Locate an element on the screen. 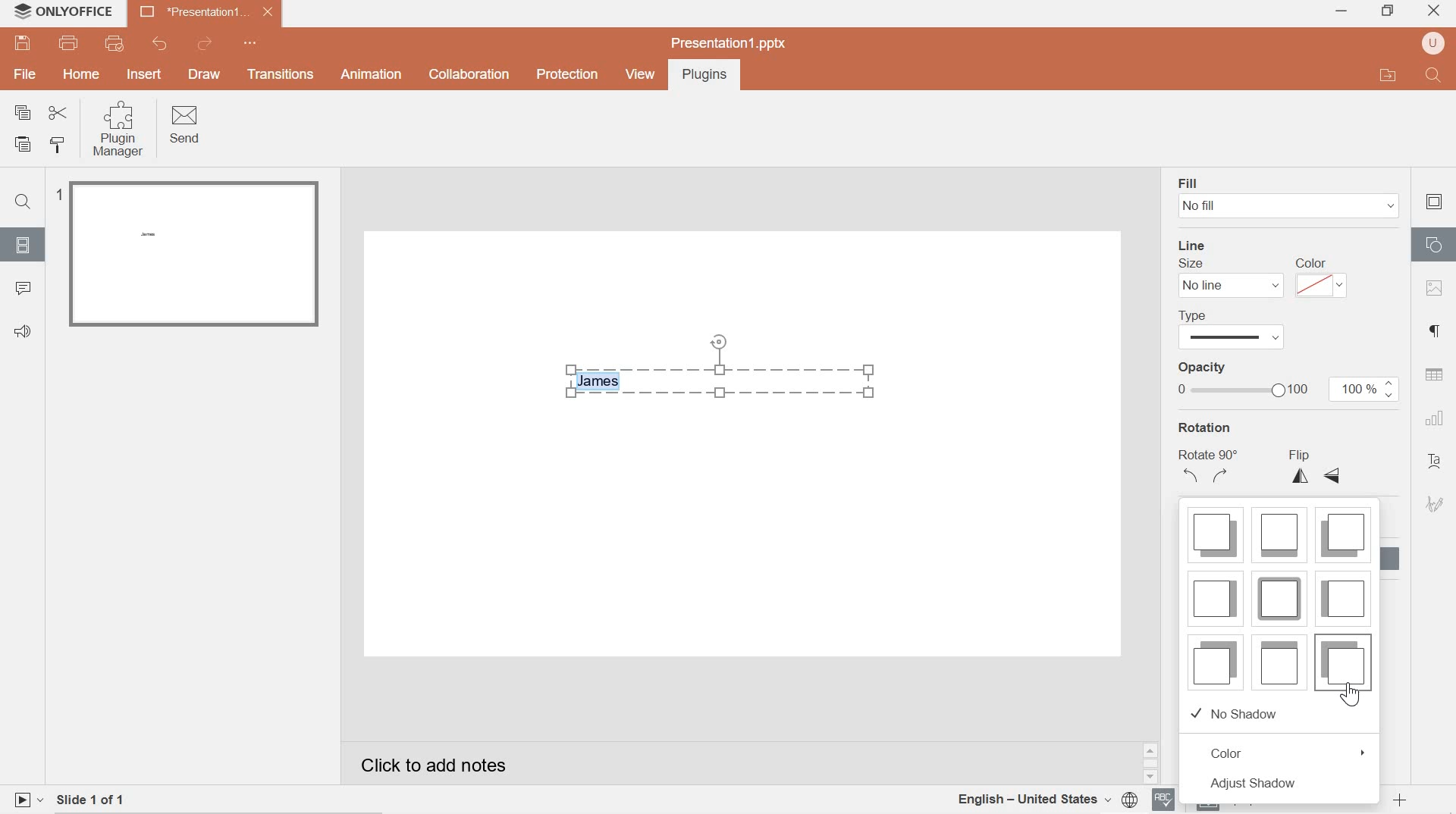 This screenshot has width=1456, height=814. highlighted text is located at coordinates (606, 380).